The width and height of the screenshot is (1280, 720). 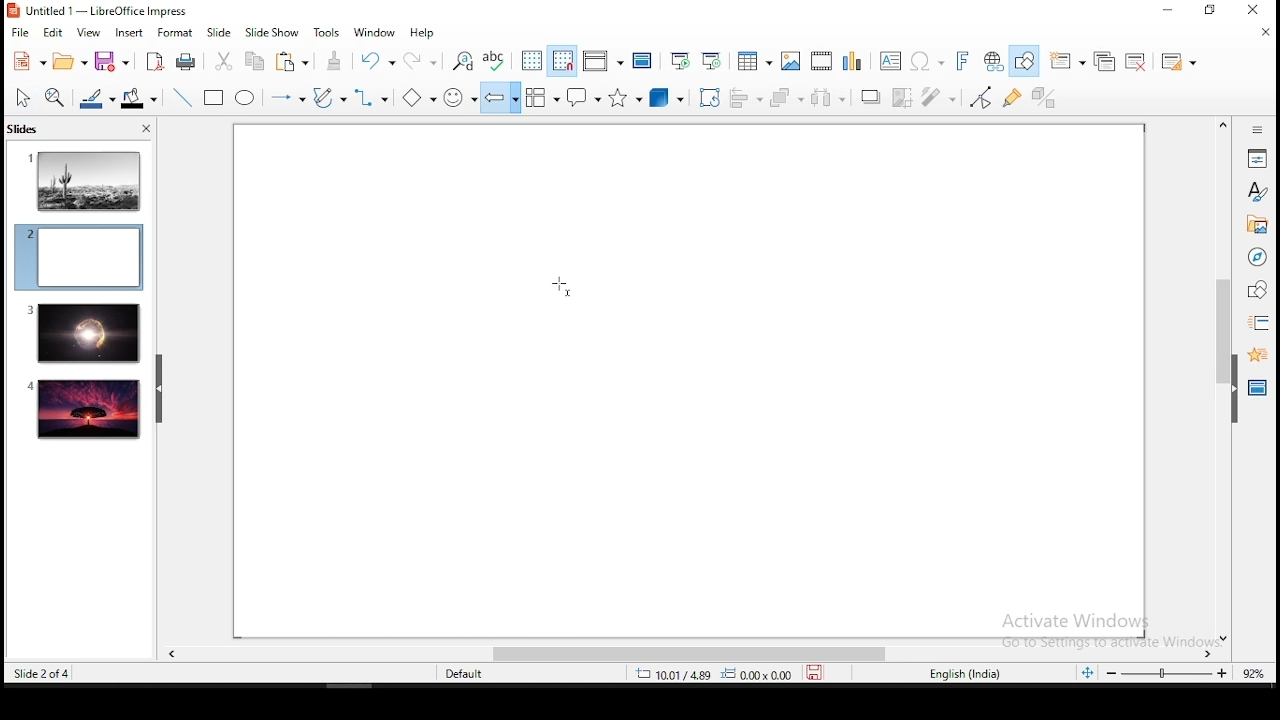 What do you see at coordinates (751, 59) in the screenshot?
I see `tables` at bounding box center [751, 59].